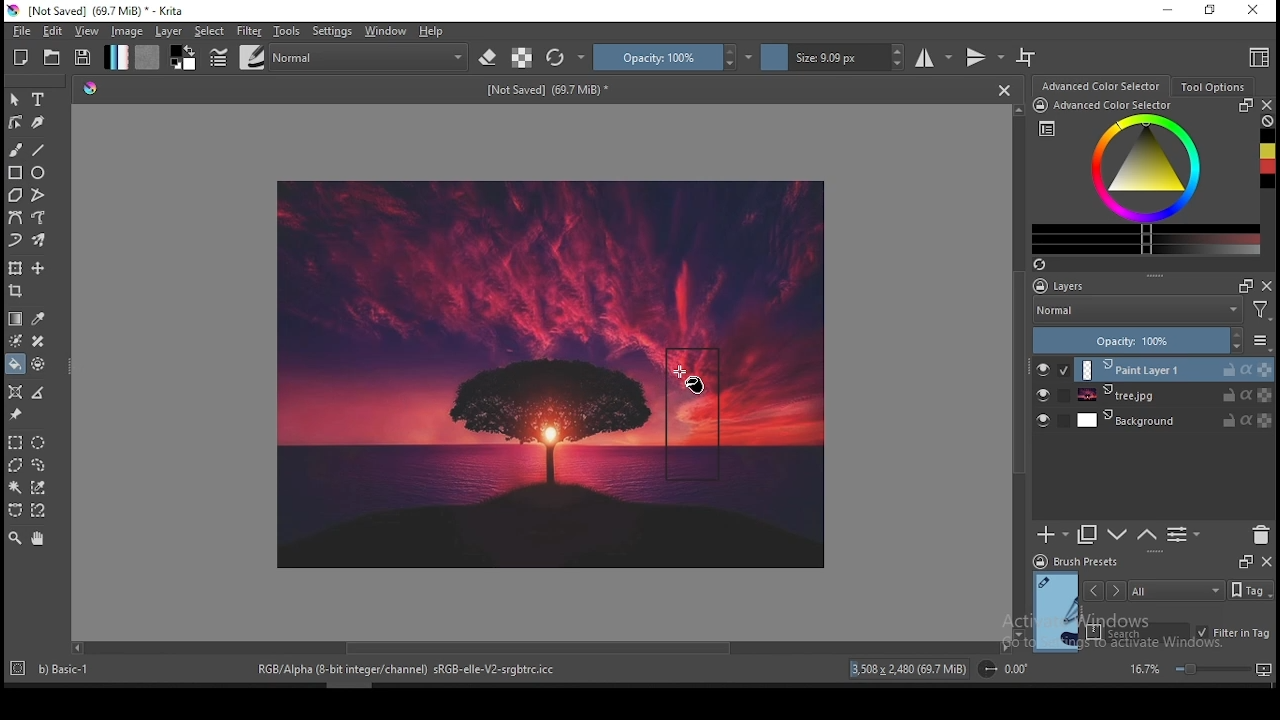 This screenshot has height=720, width=1280. I want to click on polygon tool, so click(14, 195).